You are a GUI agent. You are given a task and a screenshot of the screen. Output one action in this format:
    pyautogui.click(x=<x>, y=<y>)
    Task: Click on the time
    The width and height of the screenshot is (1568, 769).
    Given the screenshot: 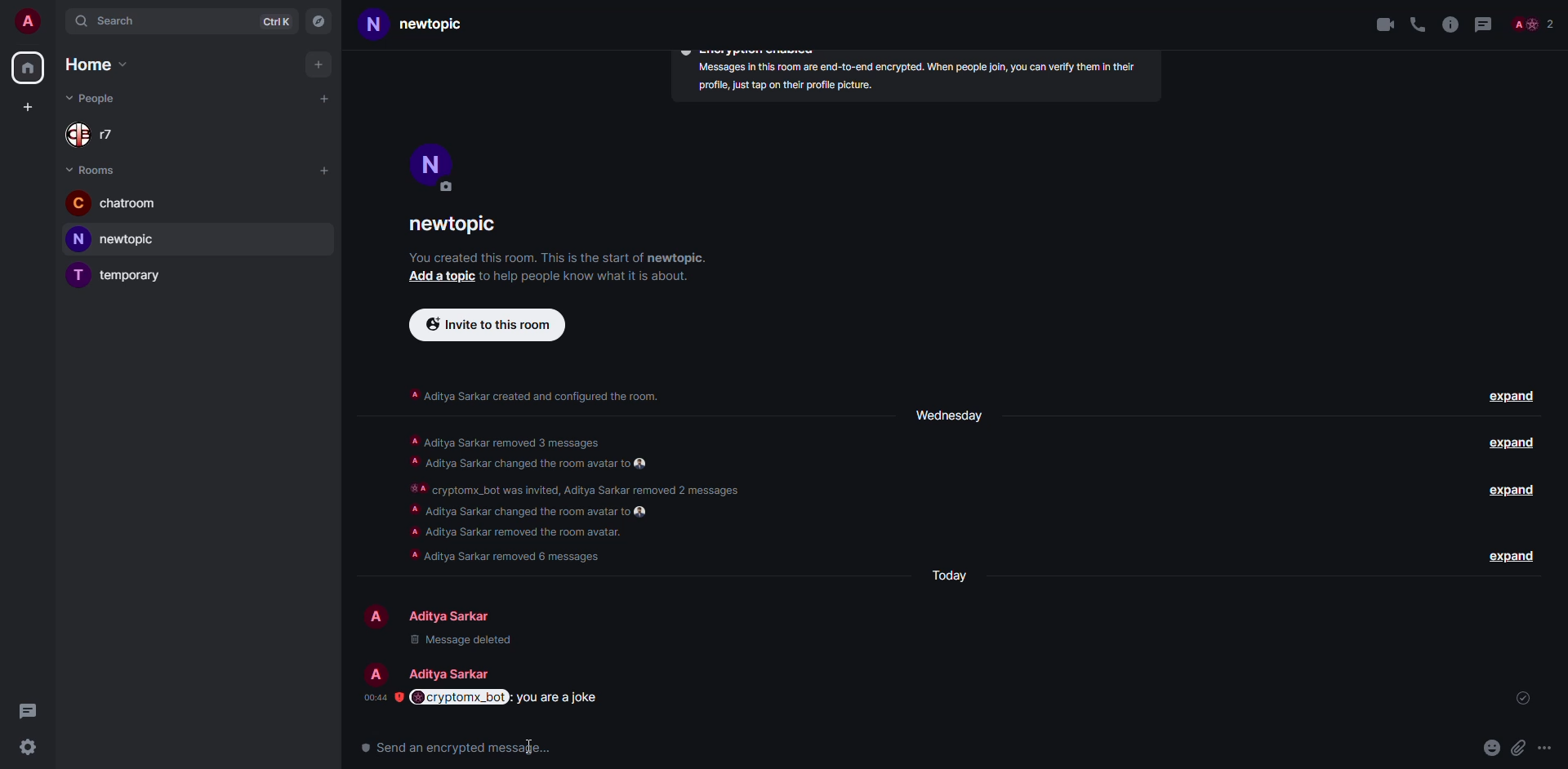 What is the action you would take?
    pyautogui.click(x=381, y=697)
    